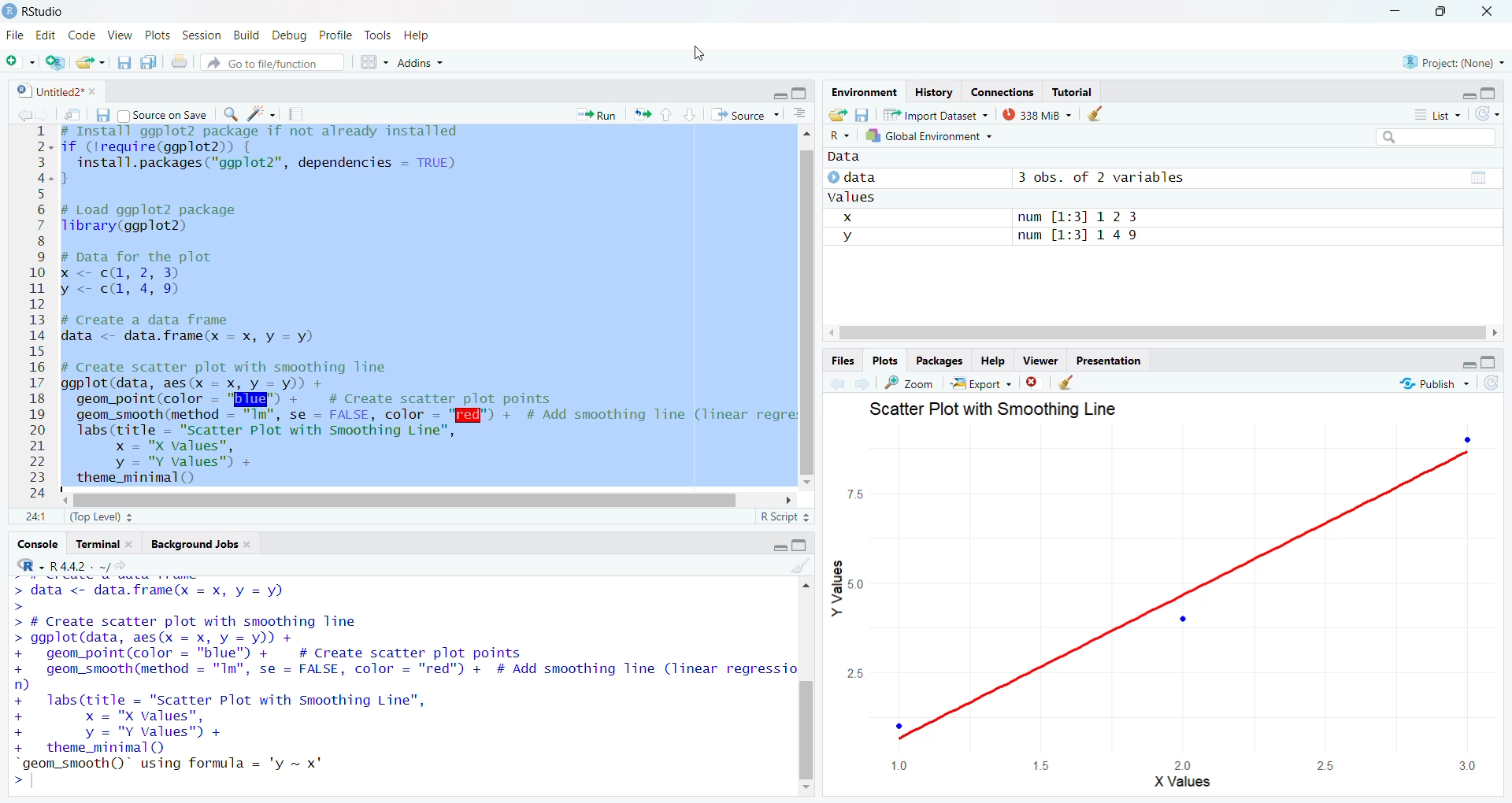 This screenshot has height=803, width=1512. Describe the element at coordinates (802, 544) in the screenshot. I see `hide console` at that location.